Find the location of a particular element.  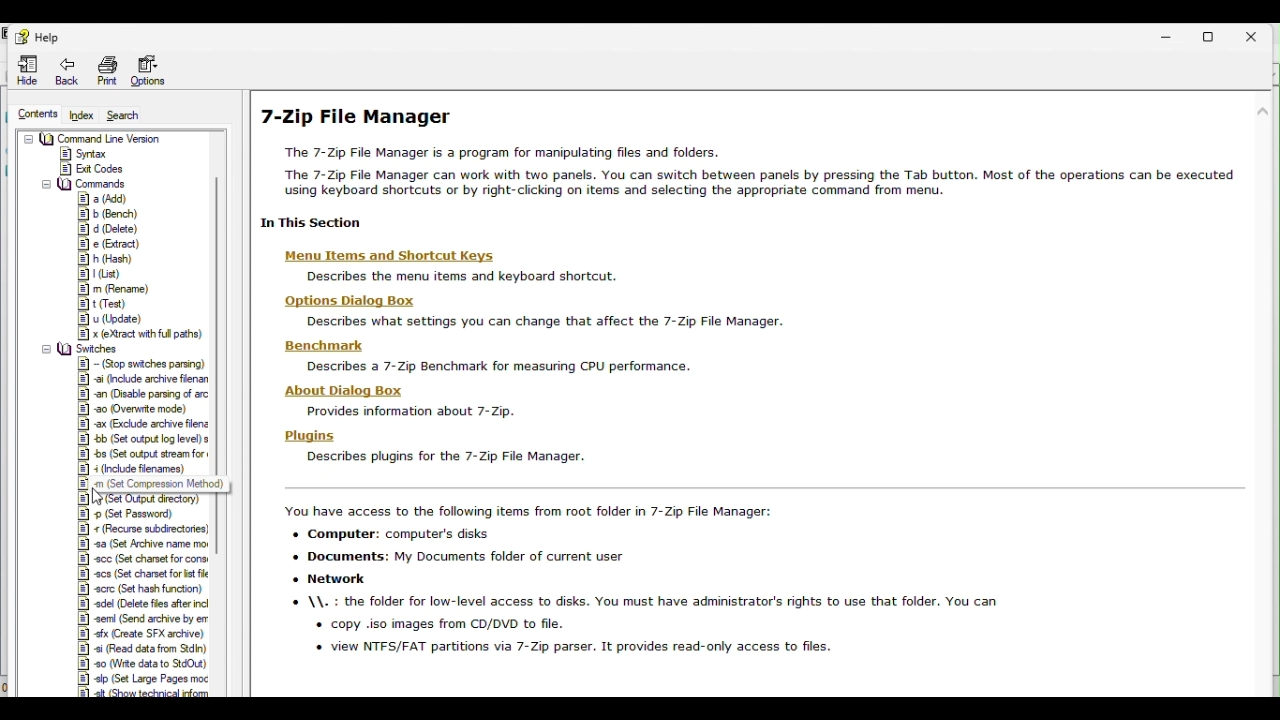

Exit Codes  is located at coordinates (94, 168).